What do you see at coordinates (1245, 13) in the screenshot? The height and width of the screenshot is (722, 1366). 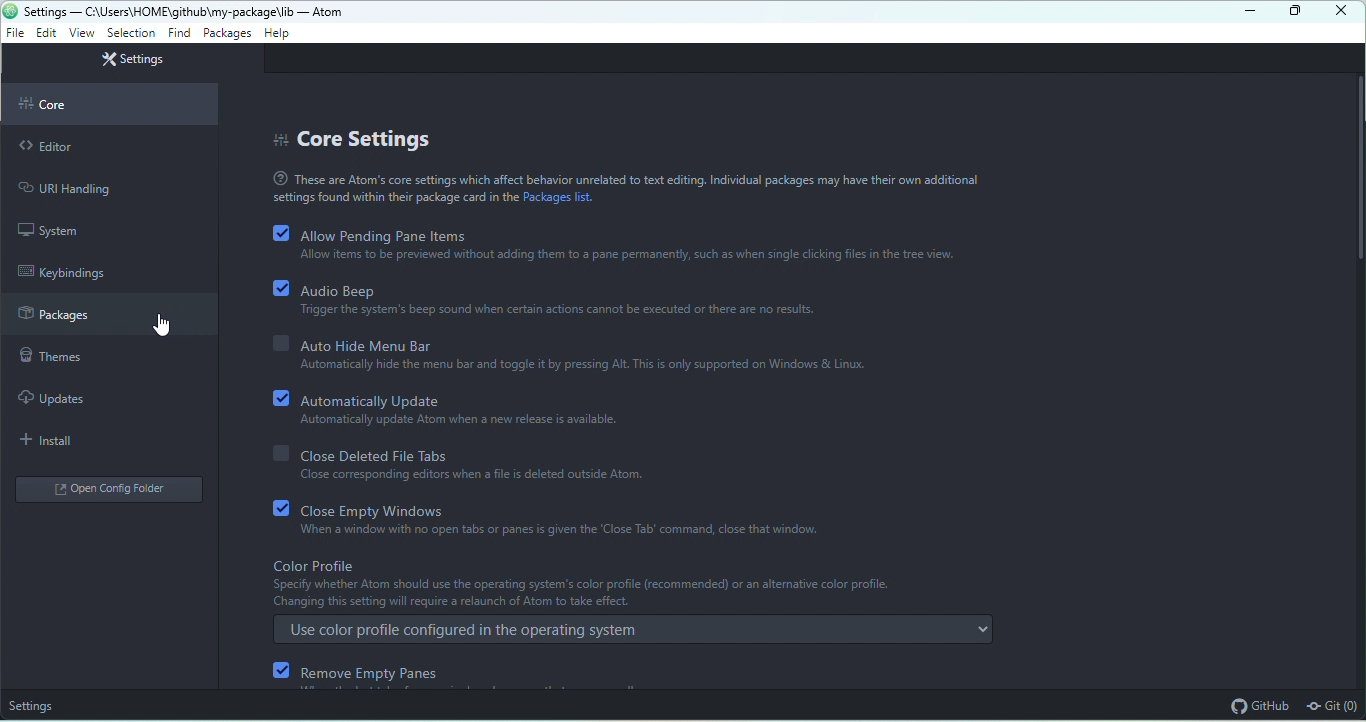 I see `minimize` at bounding box center [1245, 13].